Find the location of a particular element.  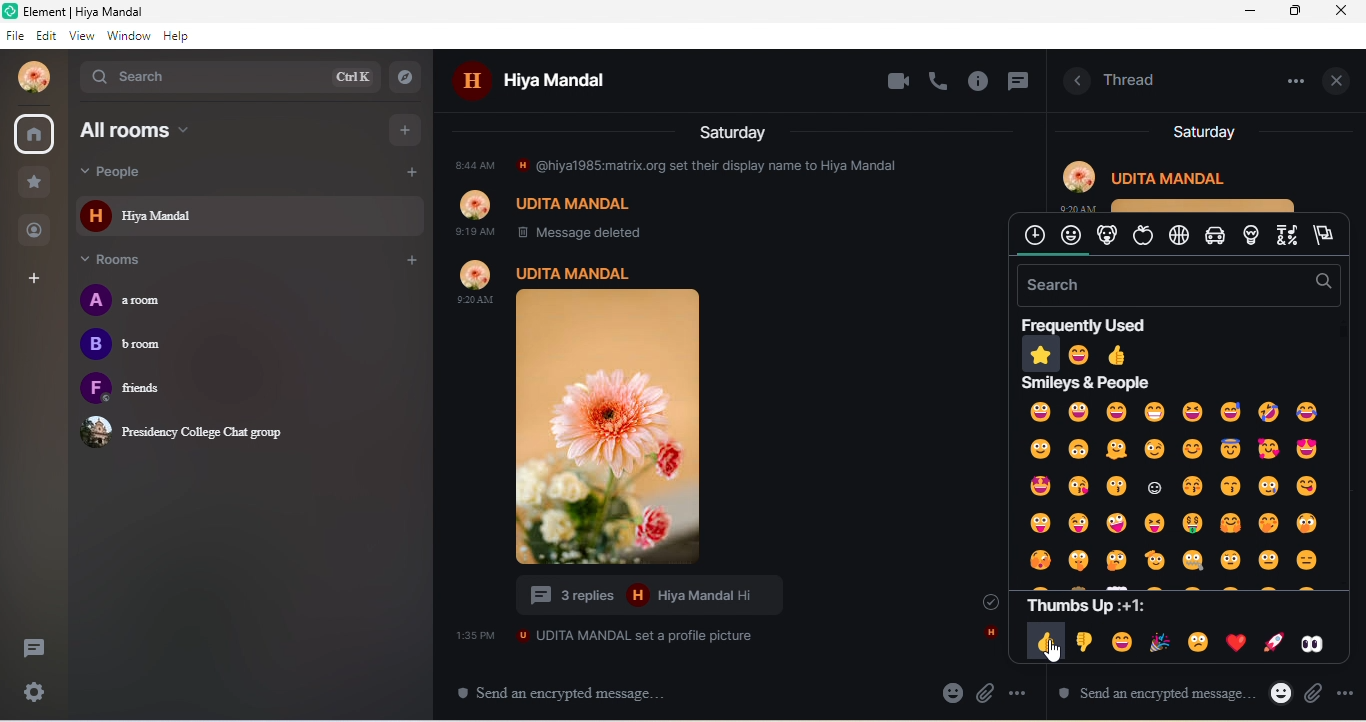

all rooms is located at coordinates (36, 135).